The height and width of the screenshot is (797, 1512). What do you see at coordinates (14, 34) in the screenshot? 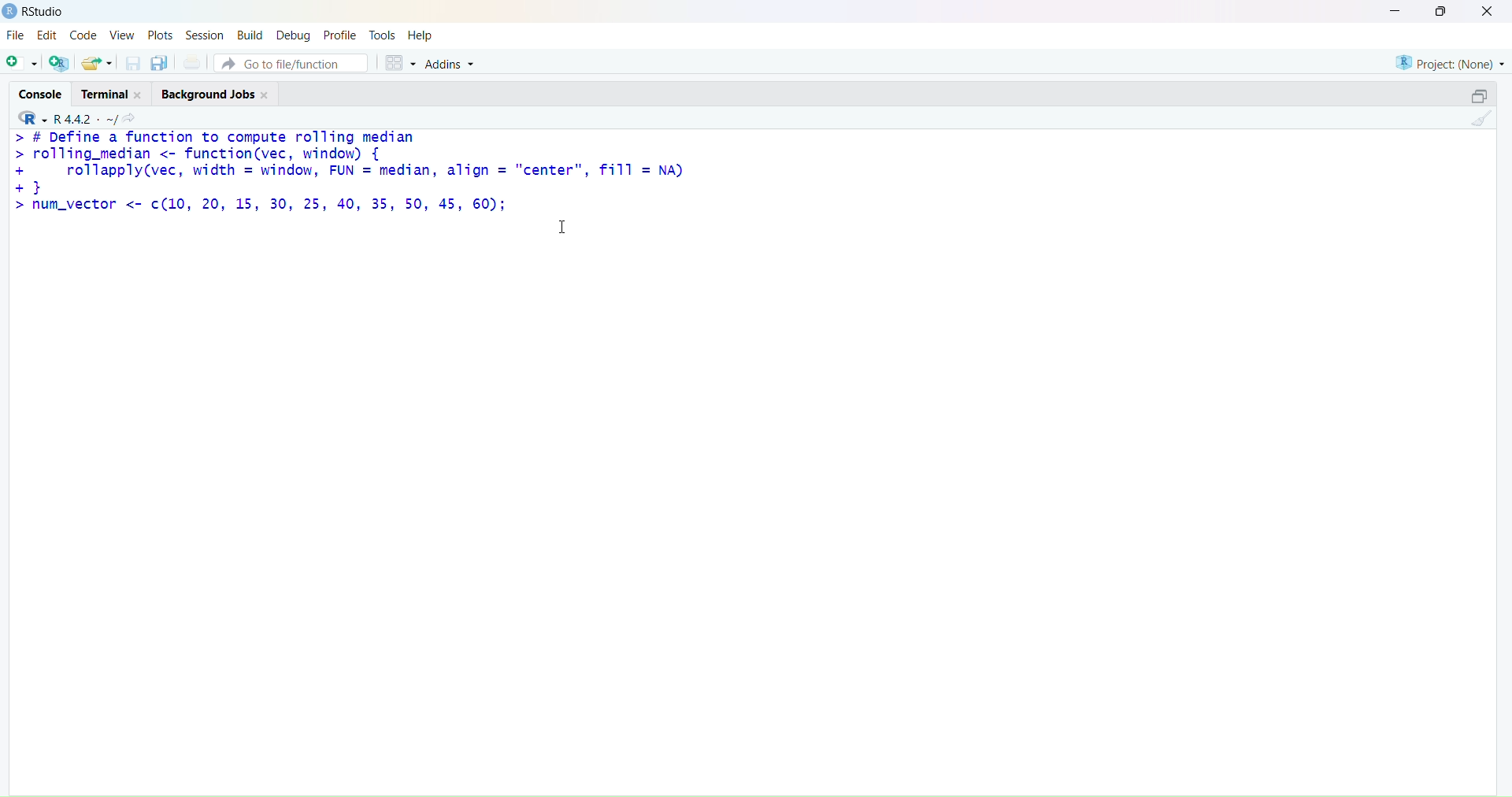
I see `file` at bounding box center [14, 34].